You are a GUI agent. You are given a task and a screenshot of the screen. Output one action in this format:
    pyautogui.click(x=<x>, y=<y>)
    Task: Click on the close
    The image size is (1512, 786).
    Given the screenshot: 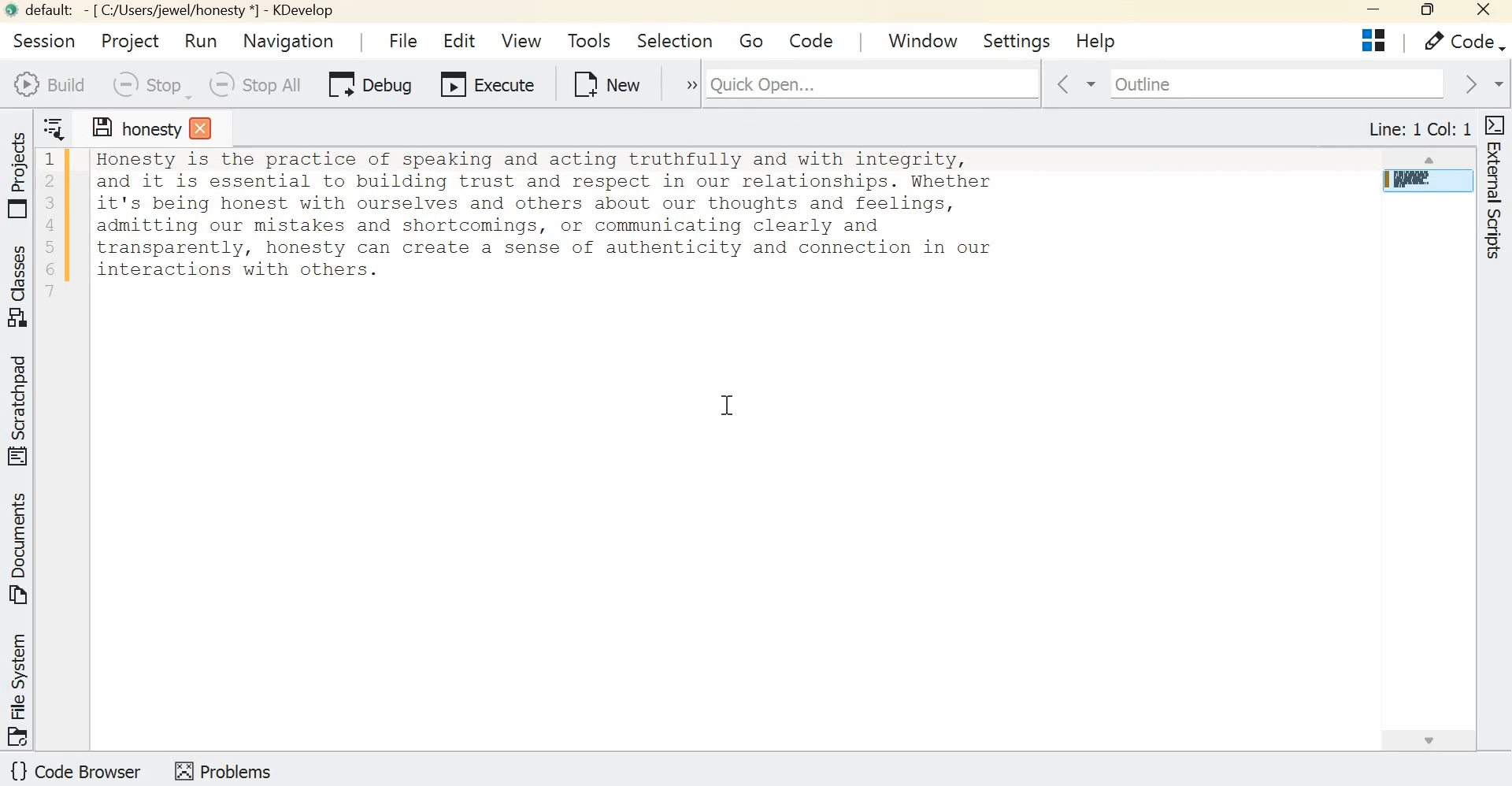 What is the action you would take?
    pyautogui.click(x=1485, y=13)
    